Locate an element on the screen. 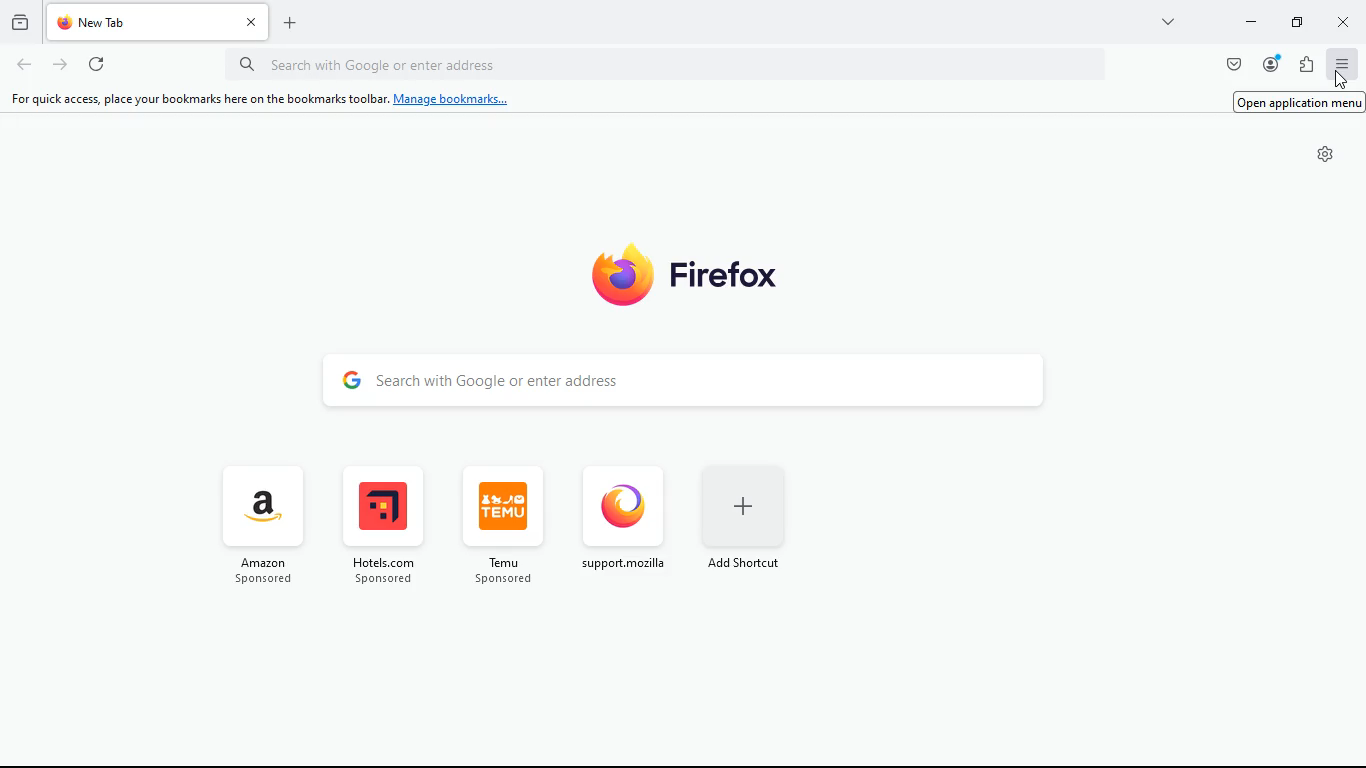  menu is located at coordinates (1344, 64).